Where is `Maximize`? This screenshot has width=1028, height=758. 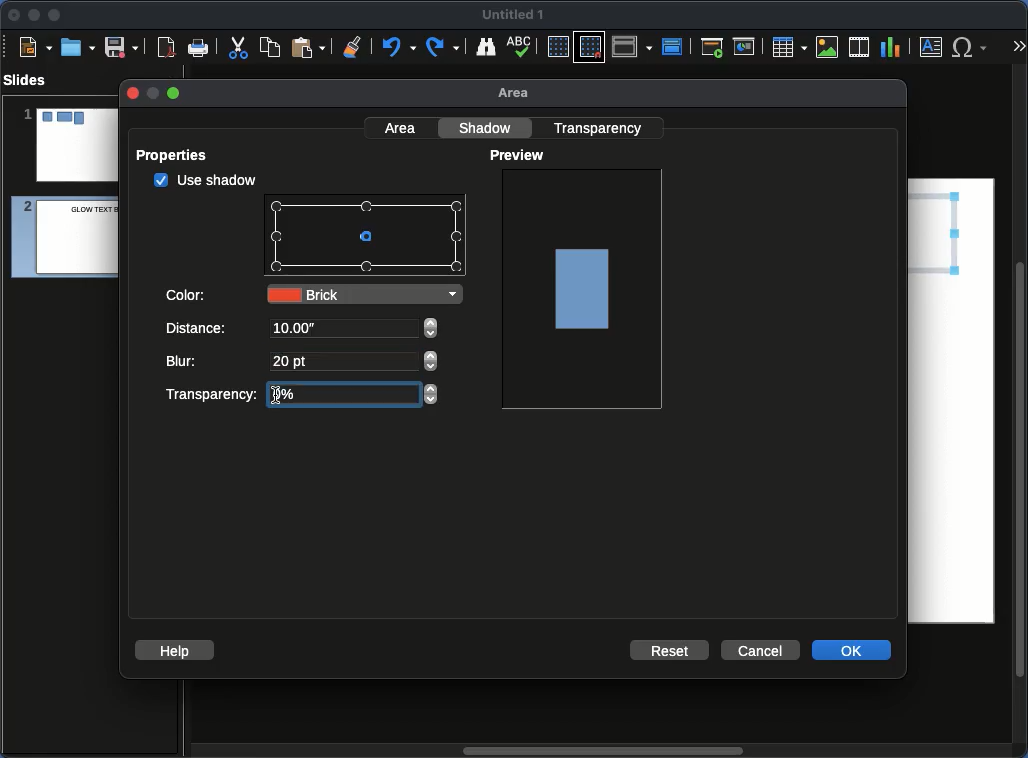 Maximize is located at coordinates (55, 17).